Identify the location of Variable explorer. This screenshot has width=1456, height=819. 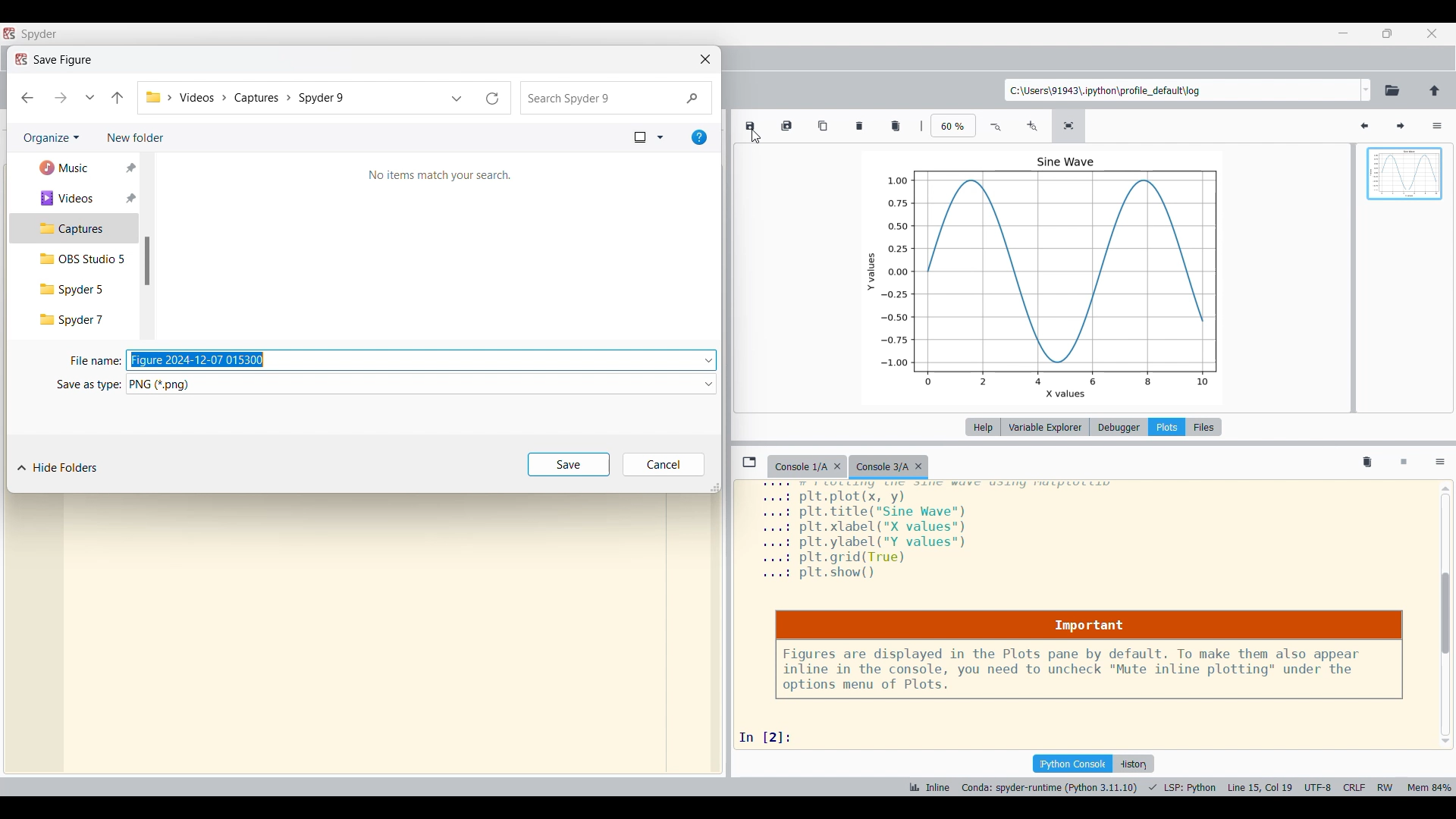
(1046, 427).